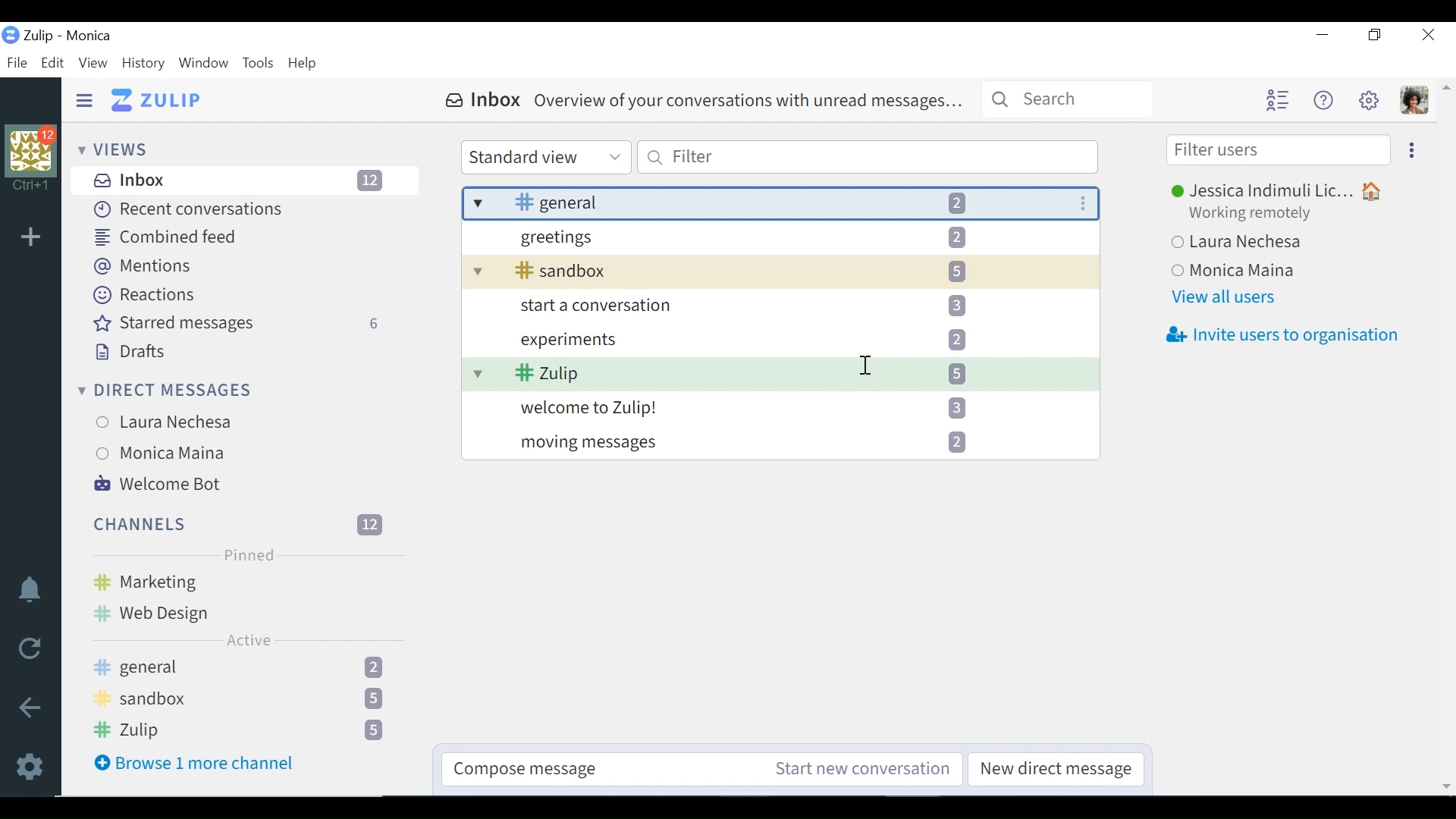 This screenshot has height=819, width=1456. Describe the element at coordinates (145, 583) in the screenshot. I see `#Marketing` at that location.